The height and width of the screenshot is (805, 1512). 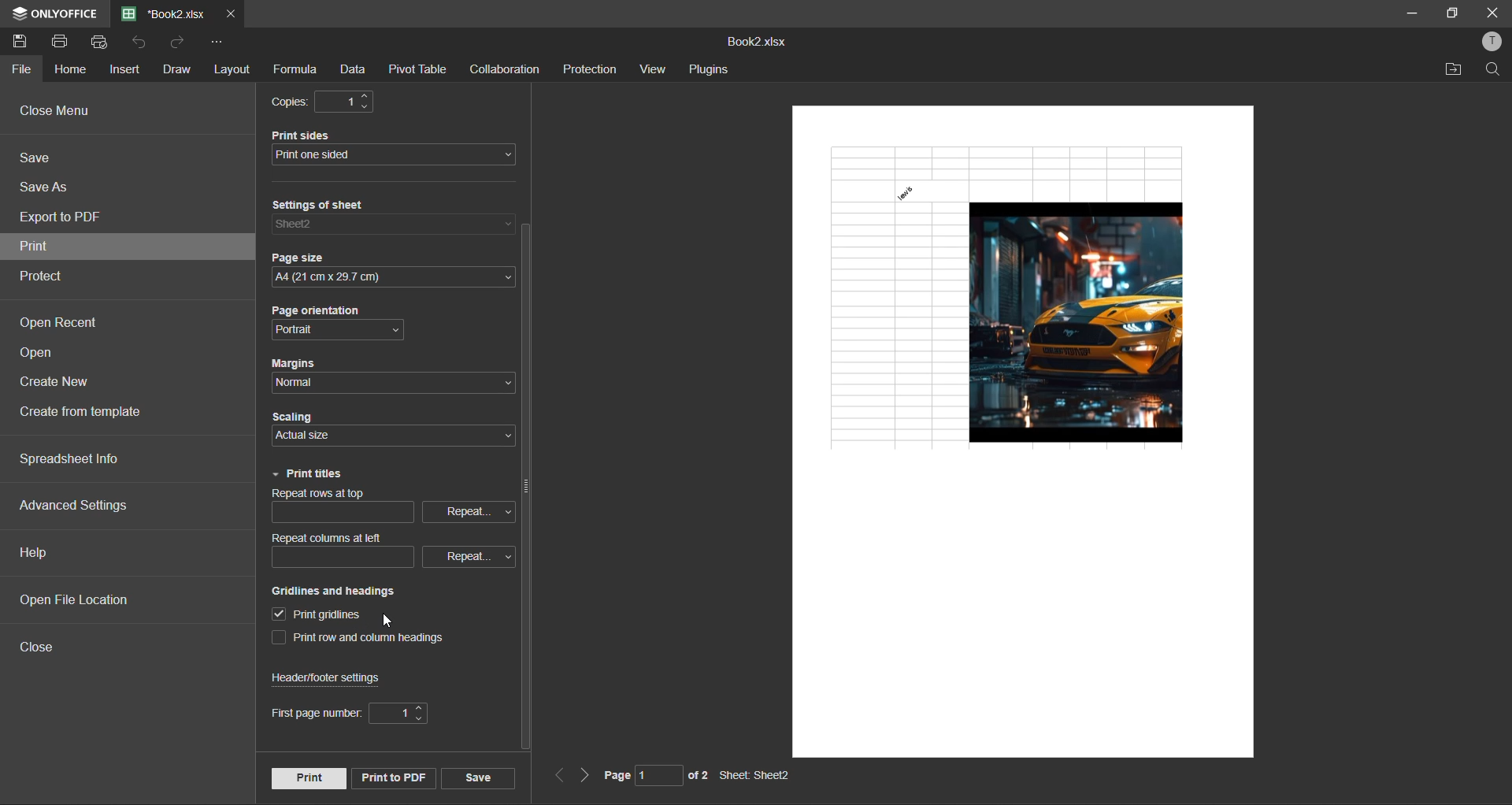 I want to click on redo, so click(x=178, y=43).